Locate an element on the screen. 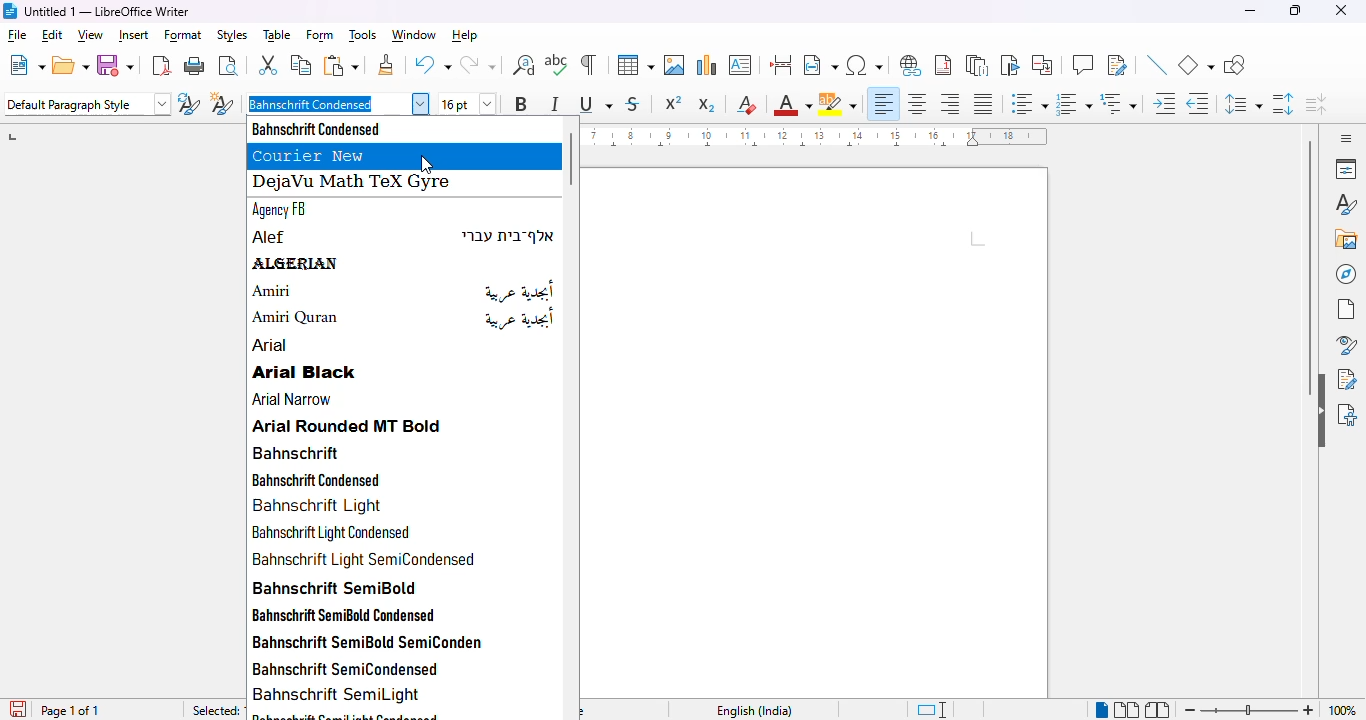 This screenshot has width=1366, height=720. insert footnote is located at coordinates (943, 65).